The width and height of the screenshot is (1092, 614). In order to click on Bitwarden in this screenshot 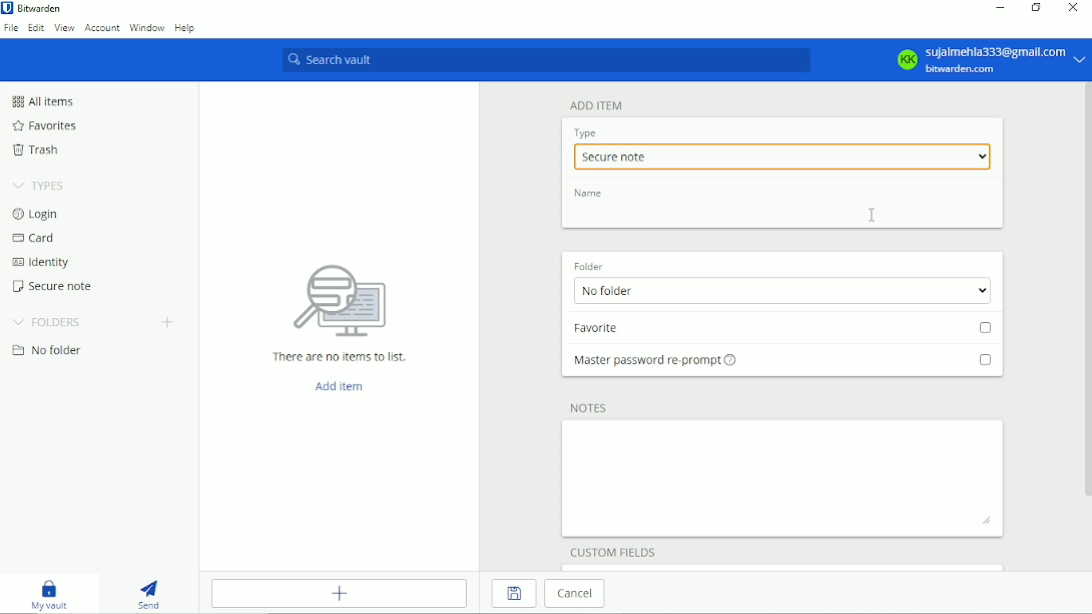, I will do `click(35, 8)`.